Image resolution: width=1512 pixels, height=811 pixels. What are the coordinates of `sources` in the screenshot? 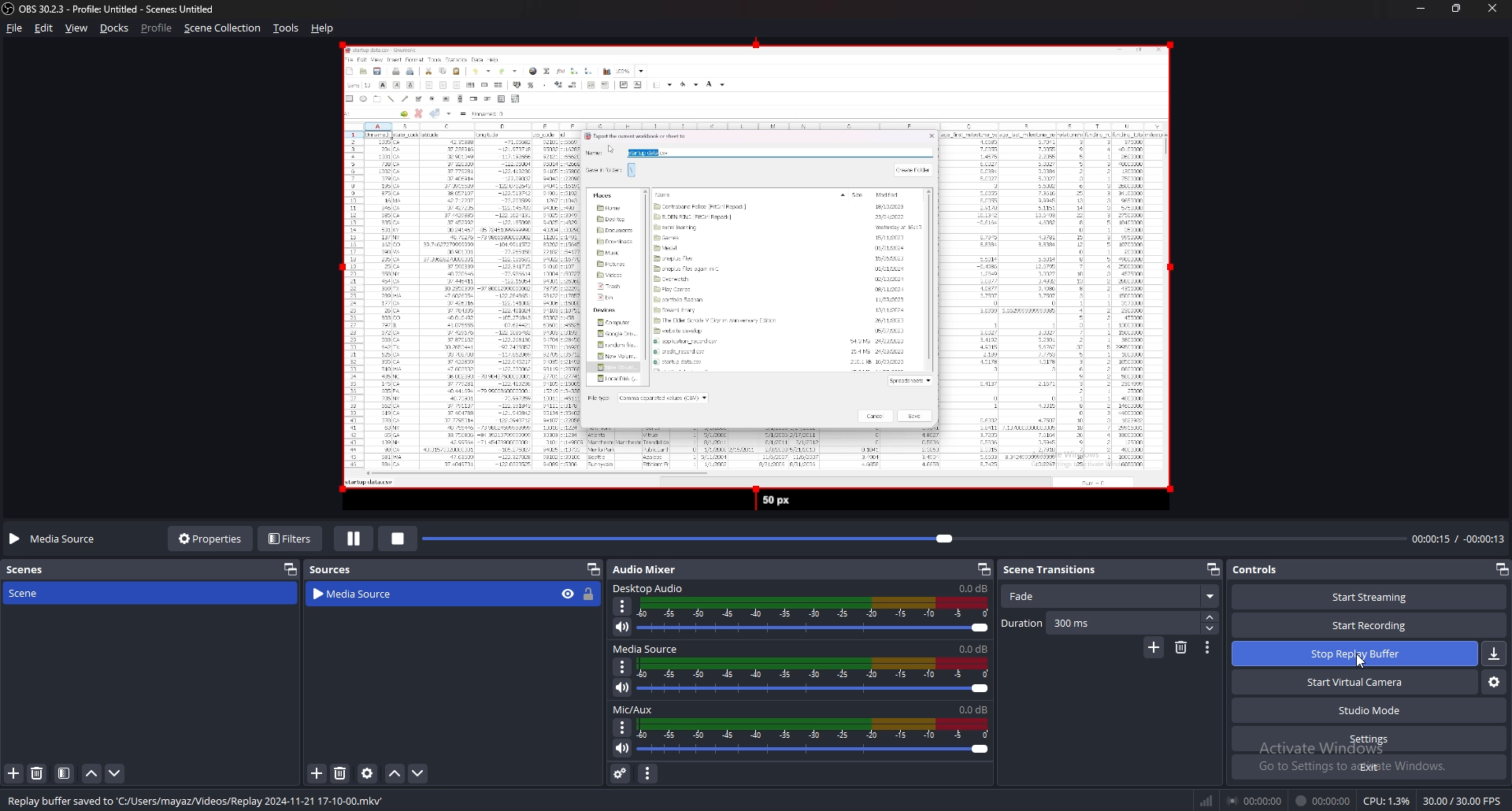 It's located at (336, 568).